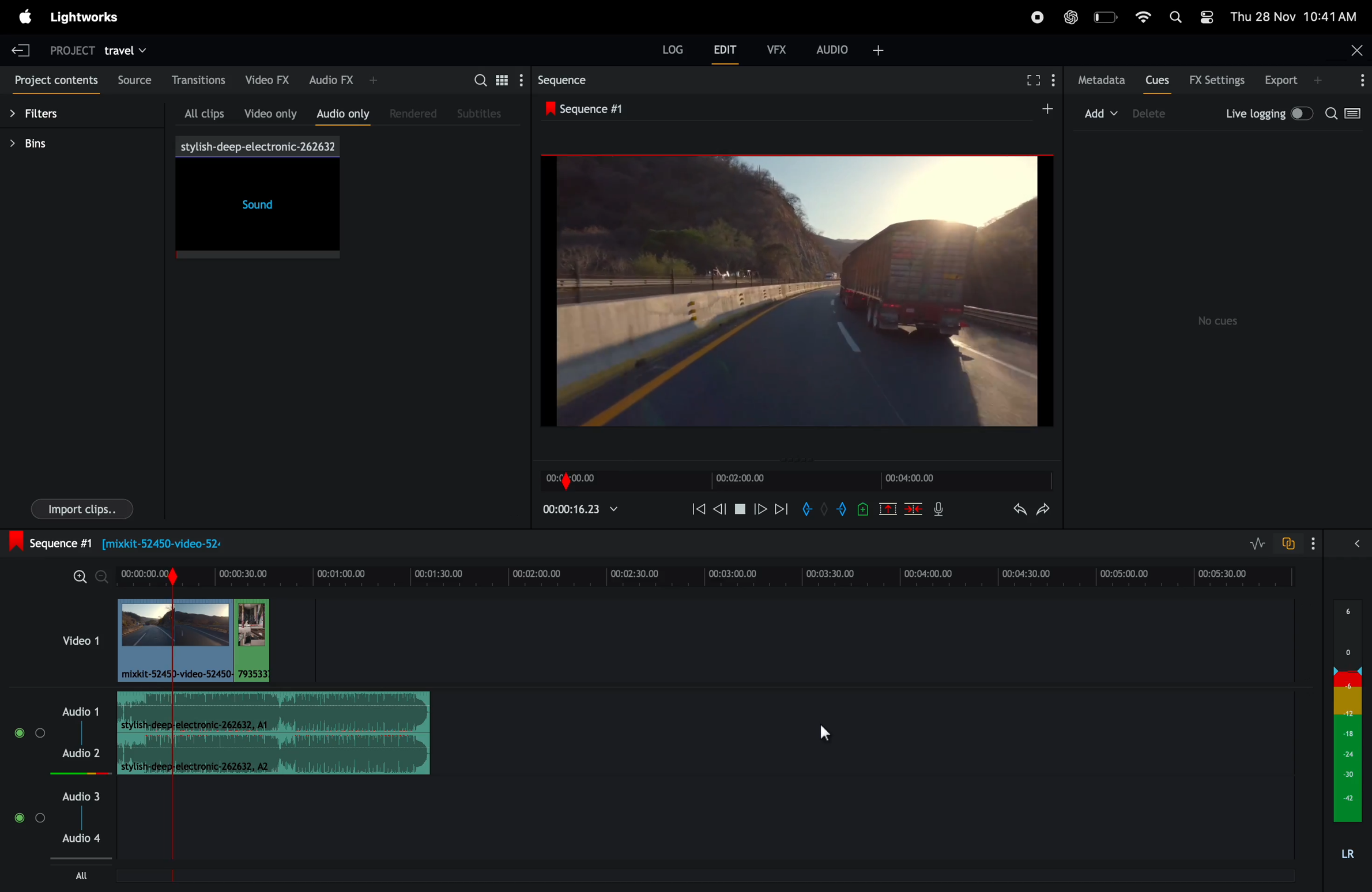 Image resolution: width=1372 pixels, height=892 pixels. Describe the element at coordinates (1297, 542) in the screenshot. I see `toggle to auto track sync` at that location.